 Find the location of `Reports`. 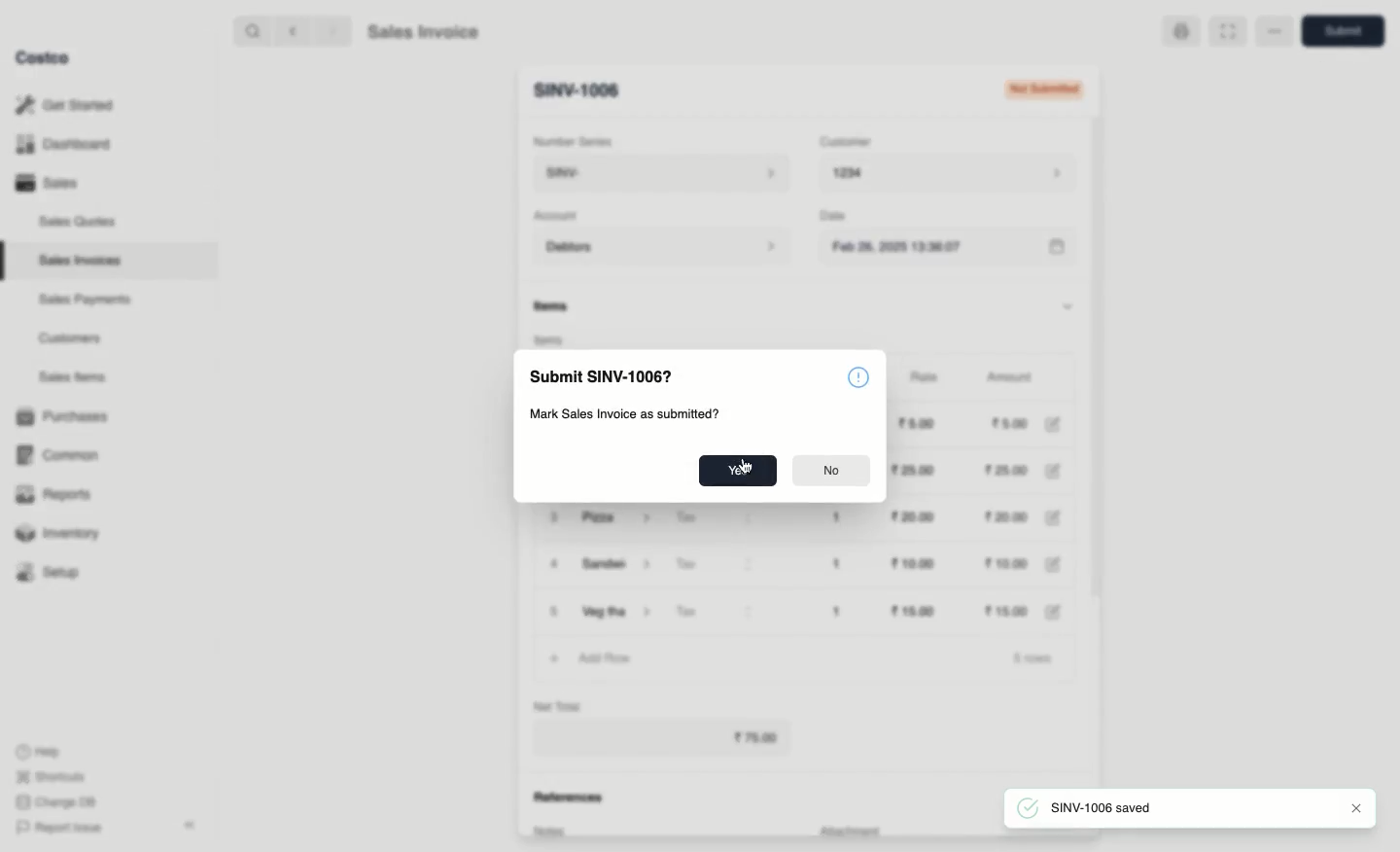

Reports is located at coordinates (54, 496).